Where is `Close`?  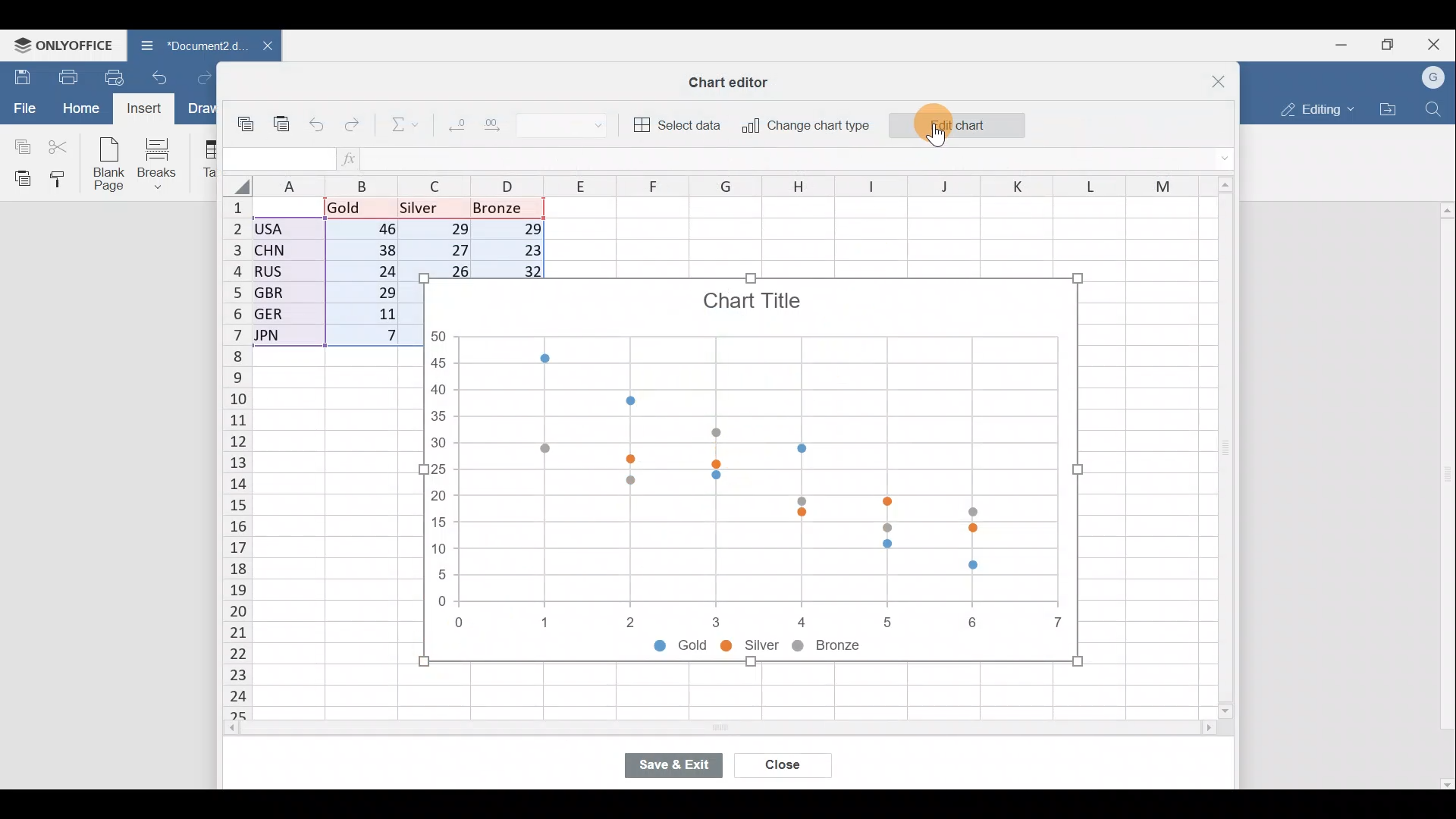
Close is located at coordinates (1209, 76).